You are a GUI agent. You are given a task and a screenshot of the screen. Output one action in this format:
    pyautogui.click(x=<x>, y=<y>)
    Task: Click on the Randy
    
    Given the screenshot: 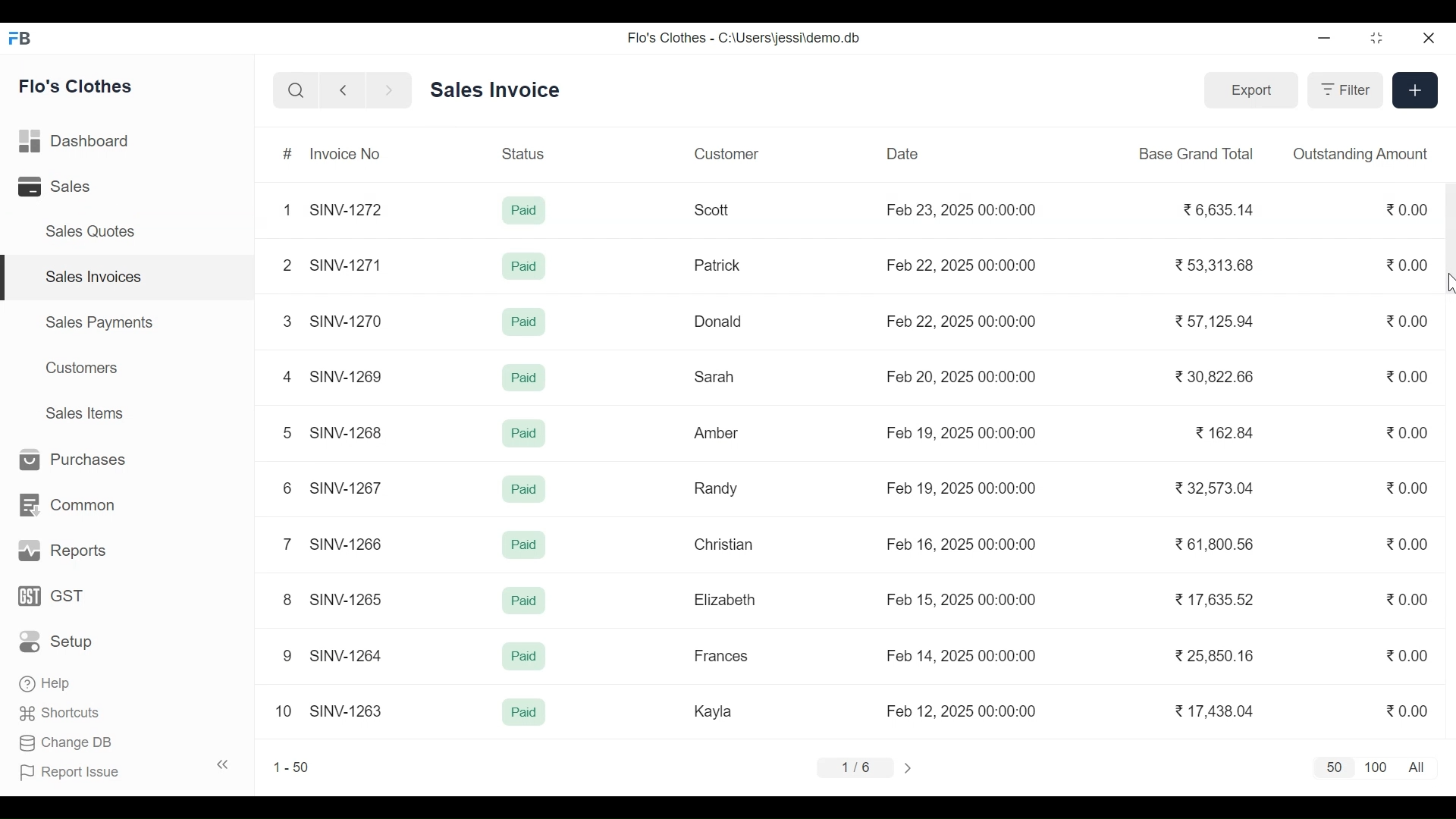 What is the action you would take?
    pyautogui.click(x=716, y=488)
    